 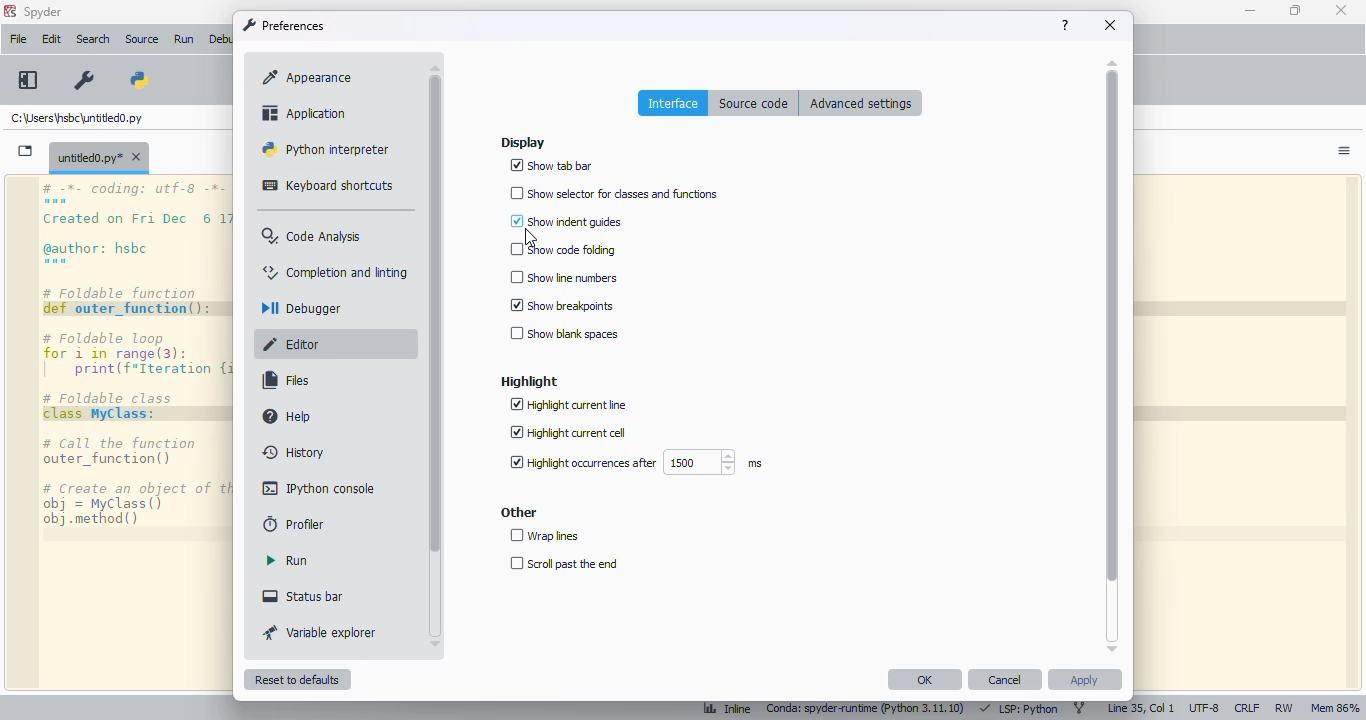 What do you see at coordinates (1345, 151) in the screenshot?
I see `options` at bounding box center [1345, 151].